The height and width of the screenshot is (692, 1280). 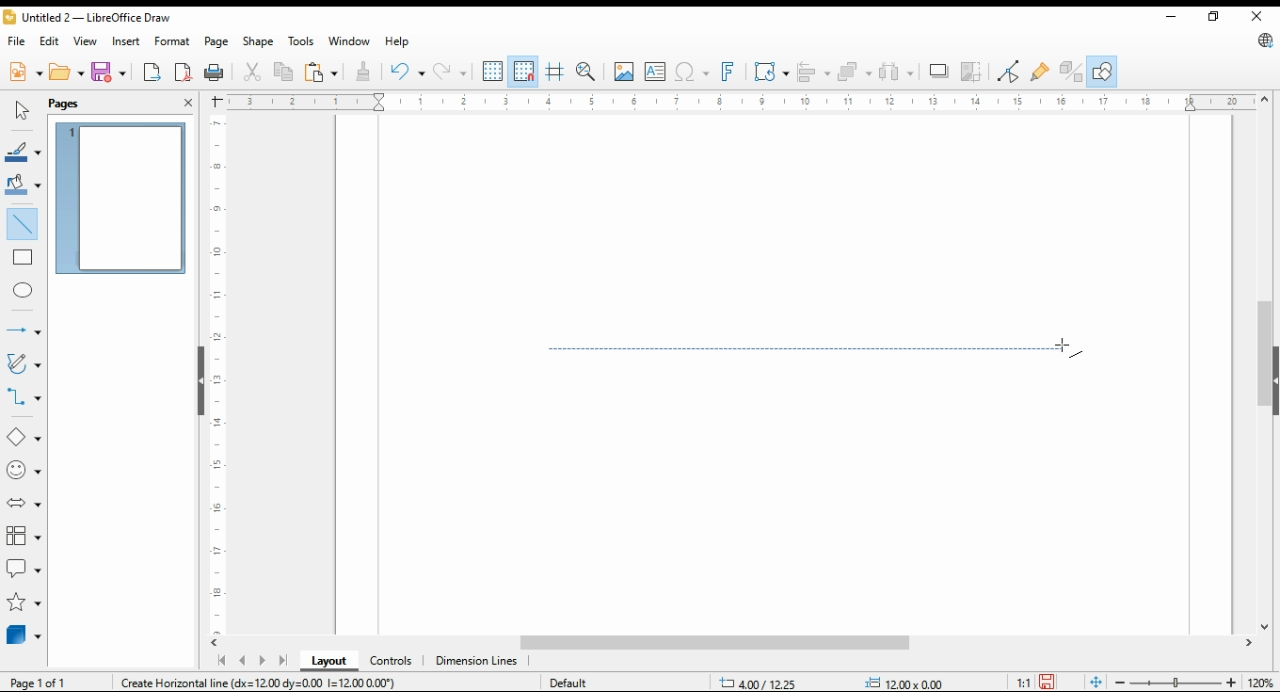 What do you see at coordinates (22, 365) in the screenshot?
I see `curves and polygons` at bounding box center [22, 365].